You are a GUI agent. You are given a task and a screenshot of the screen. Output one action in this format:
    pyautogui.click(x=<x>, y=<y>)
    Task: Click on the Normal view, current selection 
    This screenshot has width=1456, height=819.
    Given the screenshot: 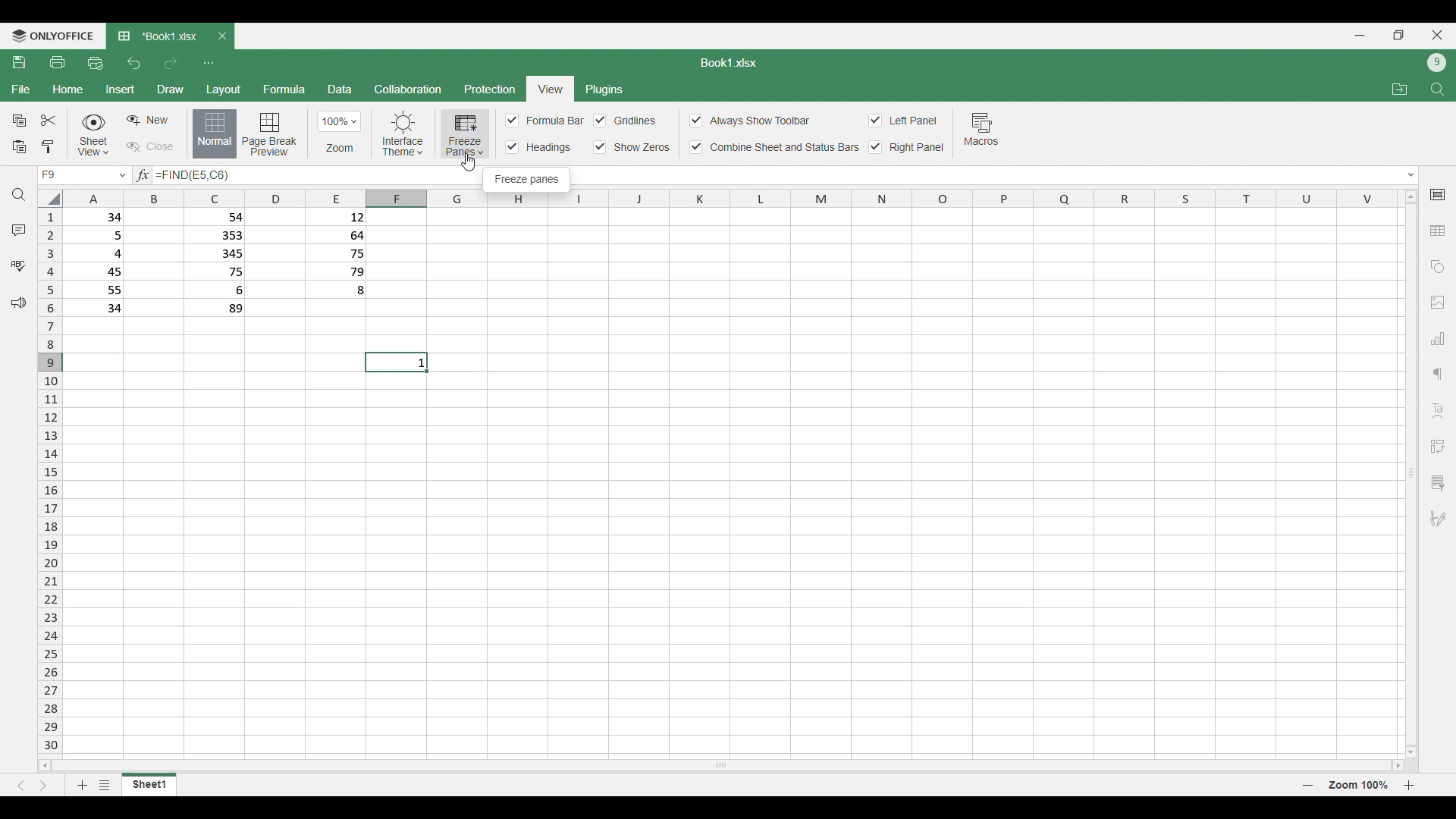 What is the action you would take?
    pyautogui.click(x=215, y=134)
    